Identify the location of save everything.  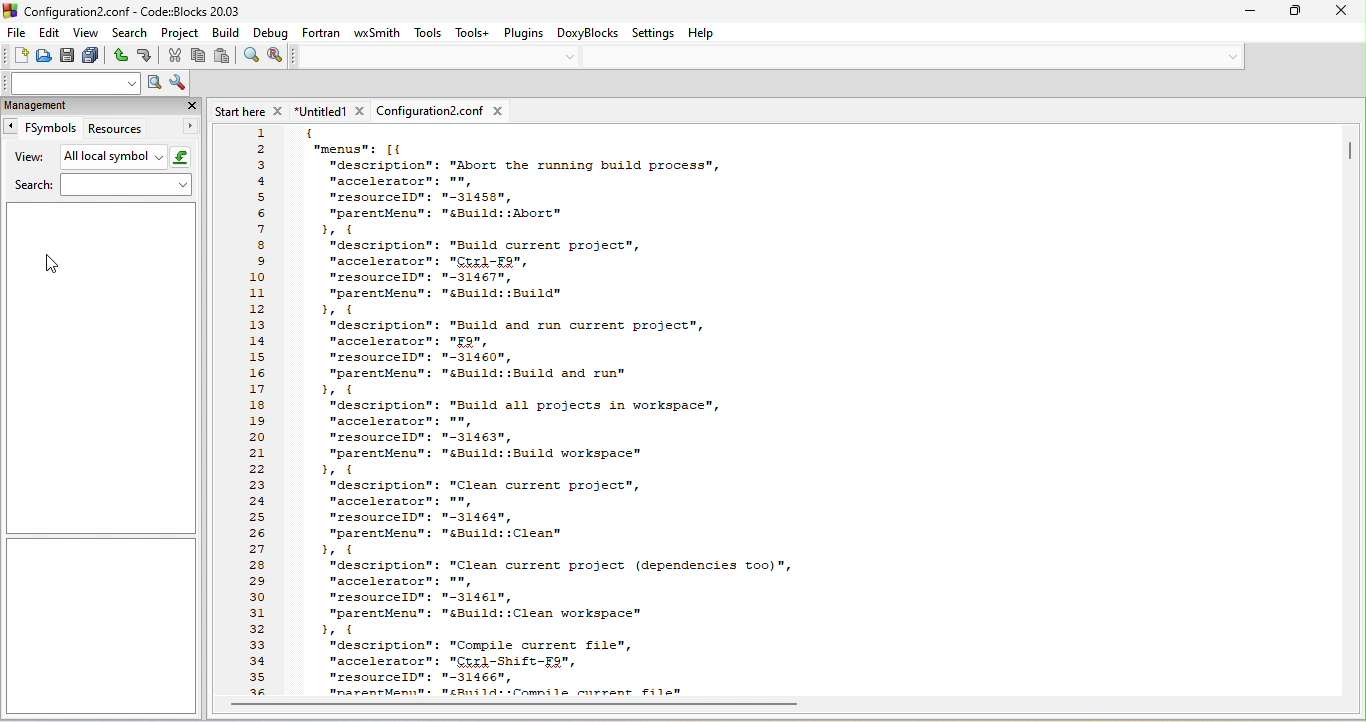
(94, 56).